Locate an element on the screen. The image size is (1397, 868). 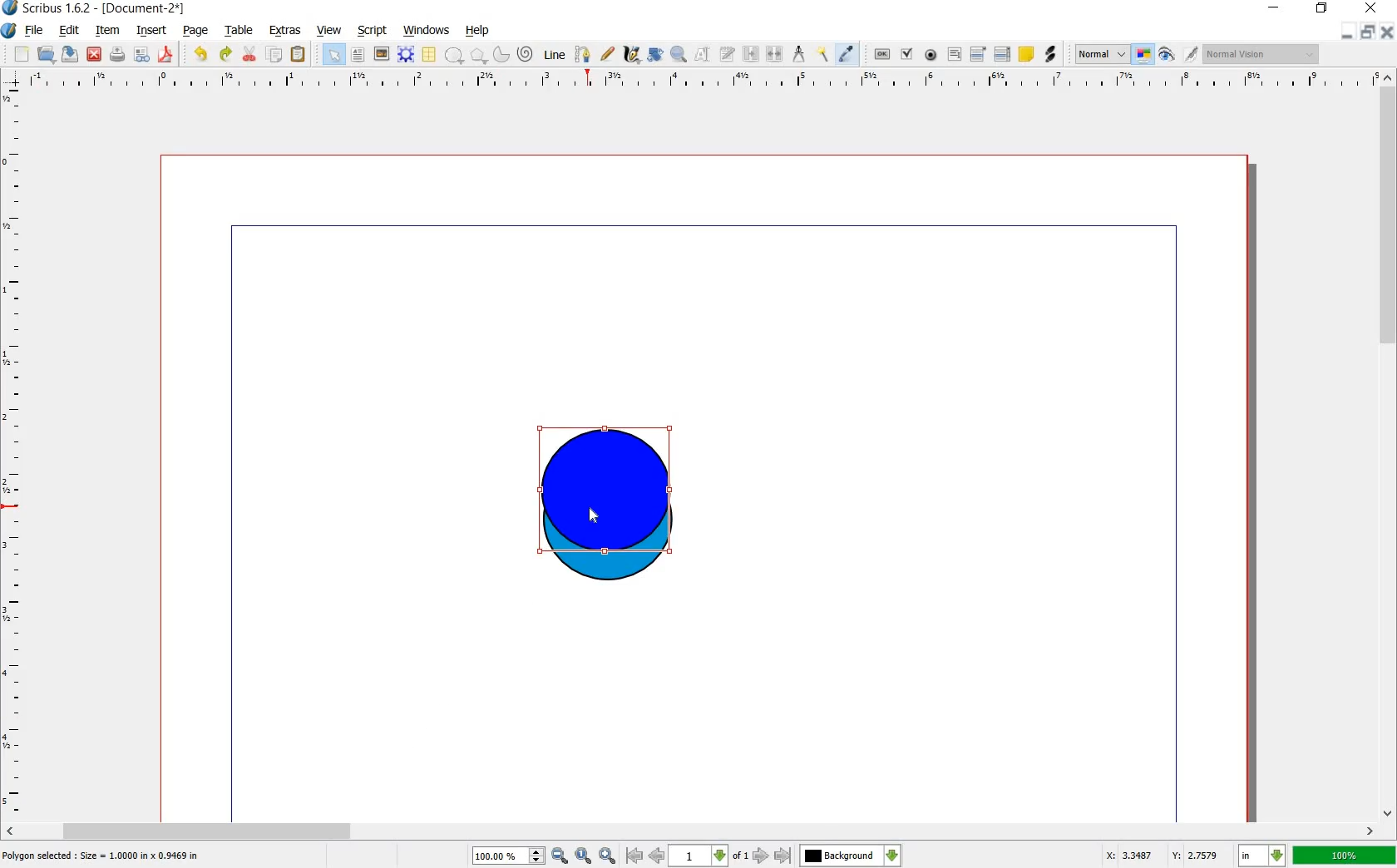
insert is located at coordinates (152, 32).